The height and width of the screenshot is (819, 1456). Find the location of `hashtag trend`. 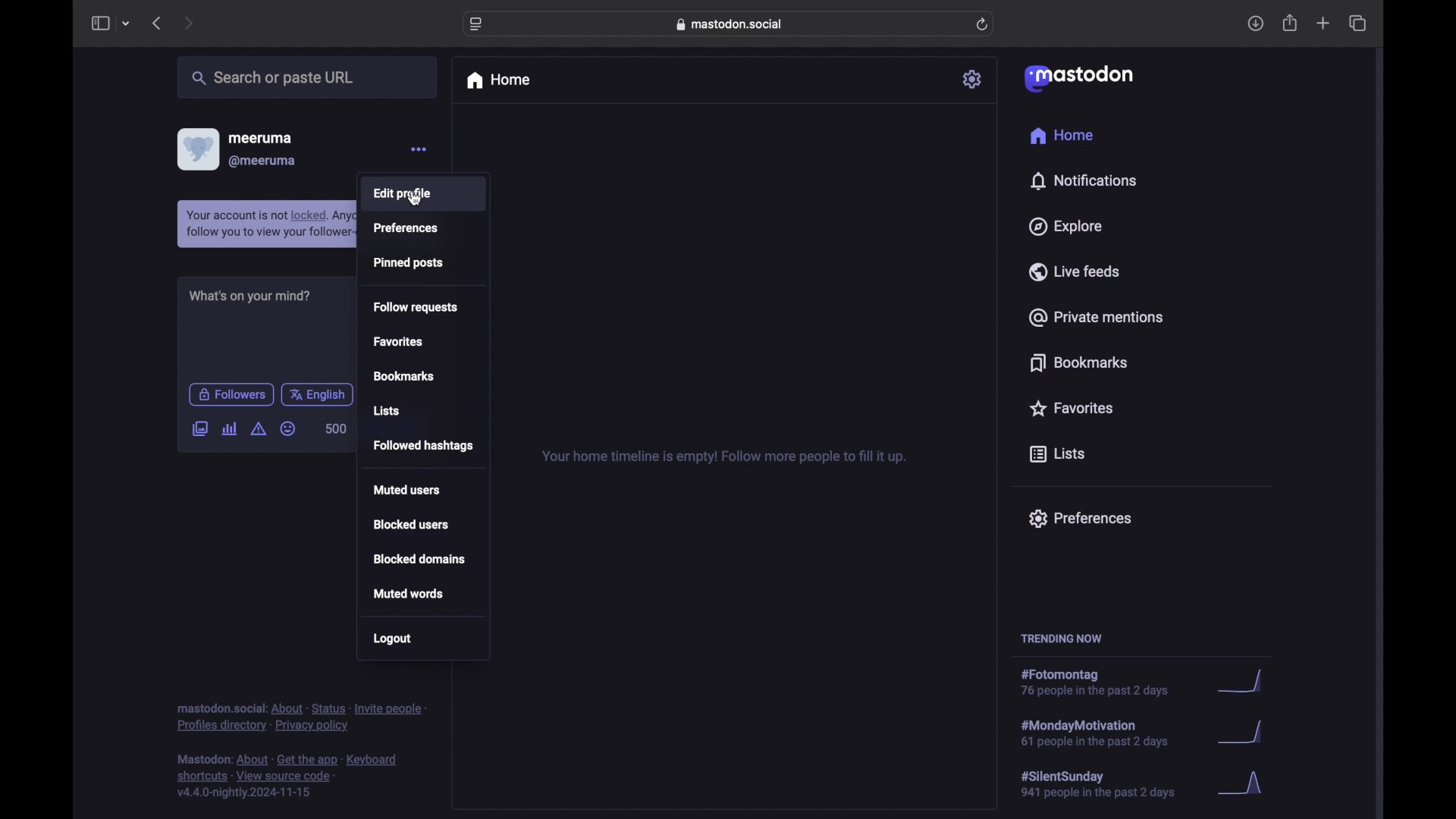

hashtag trend is located at coordinates (1143, 733).